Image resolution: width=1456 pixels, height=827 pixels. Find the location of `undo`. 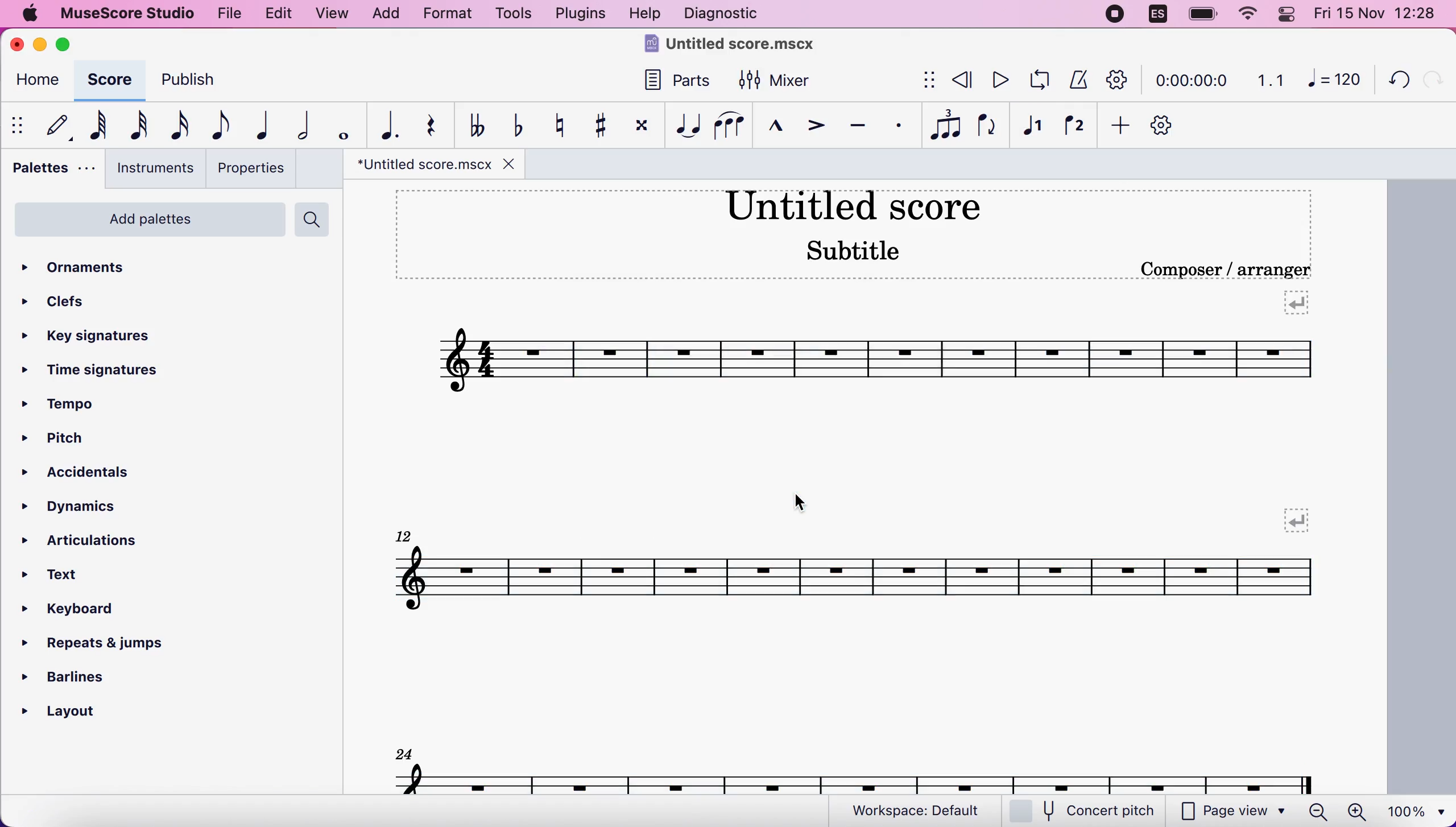

undo is located at coordinates (1393, 78).